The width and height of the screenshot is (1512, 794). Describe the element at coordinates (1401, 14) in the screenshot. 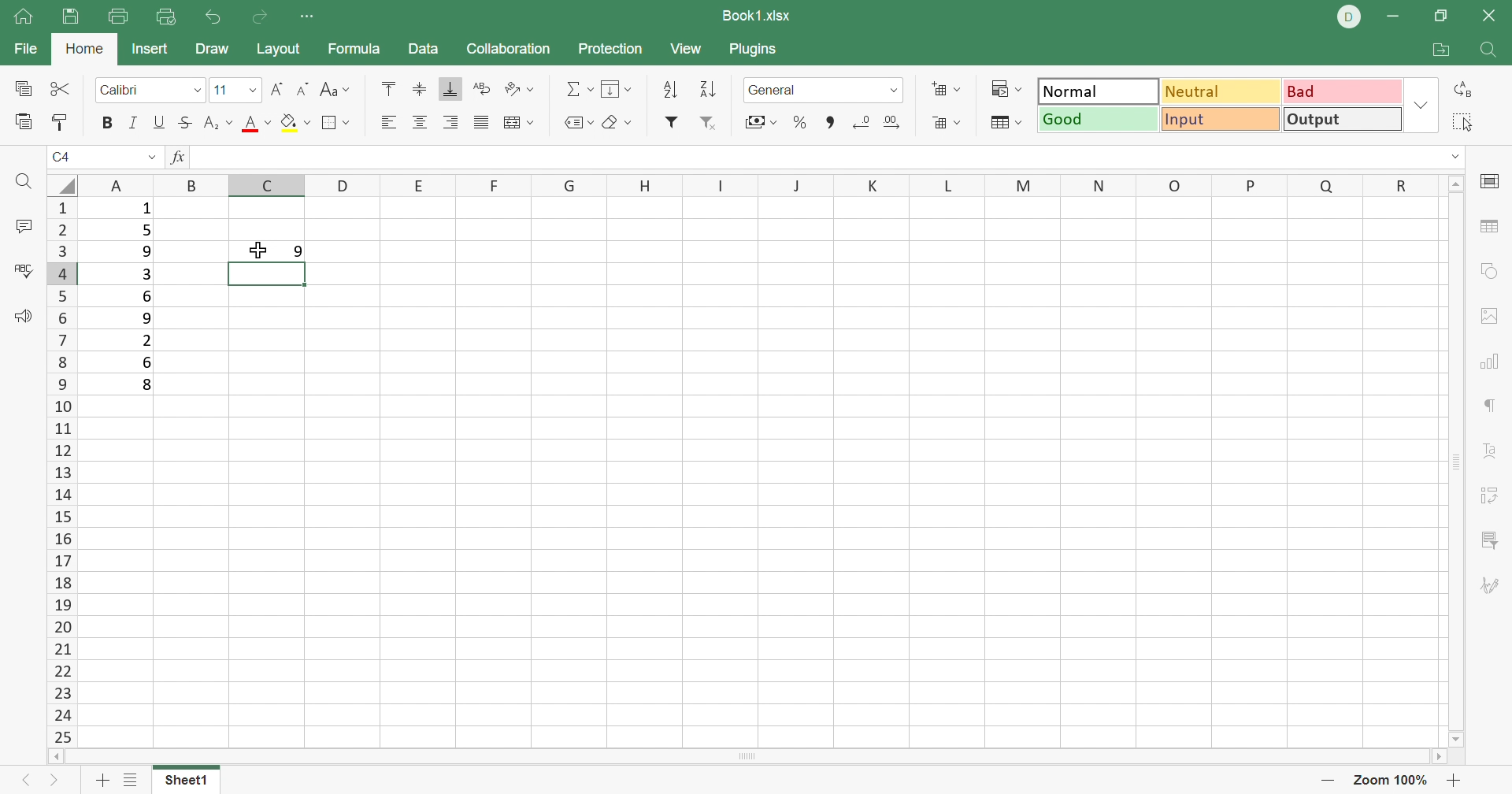

I see `Minimize` at that location.